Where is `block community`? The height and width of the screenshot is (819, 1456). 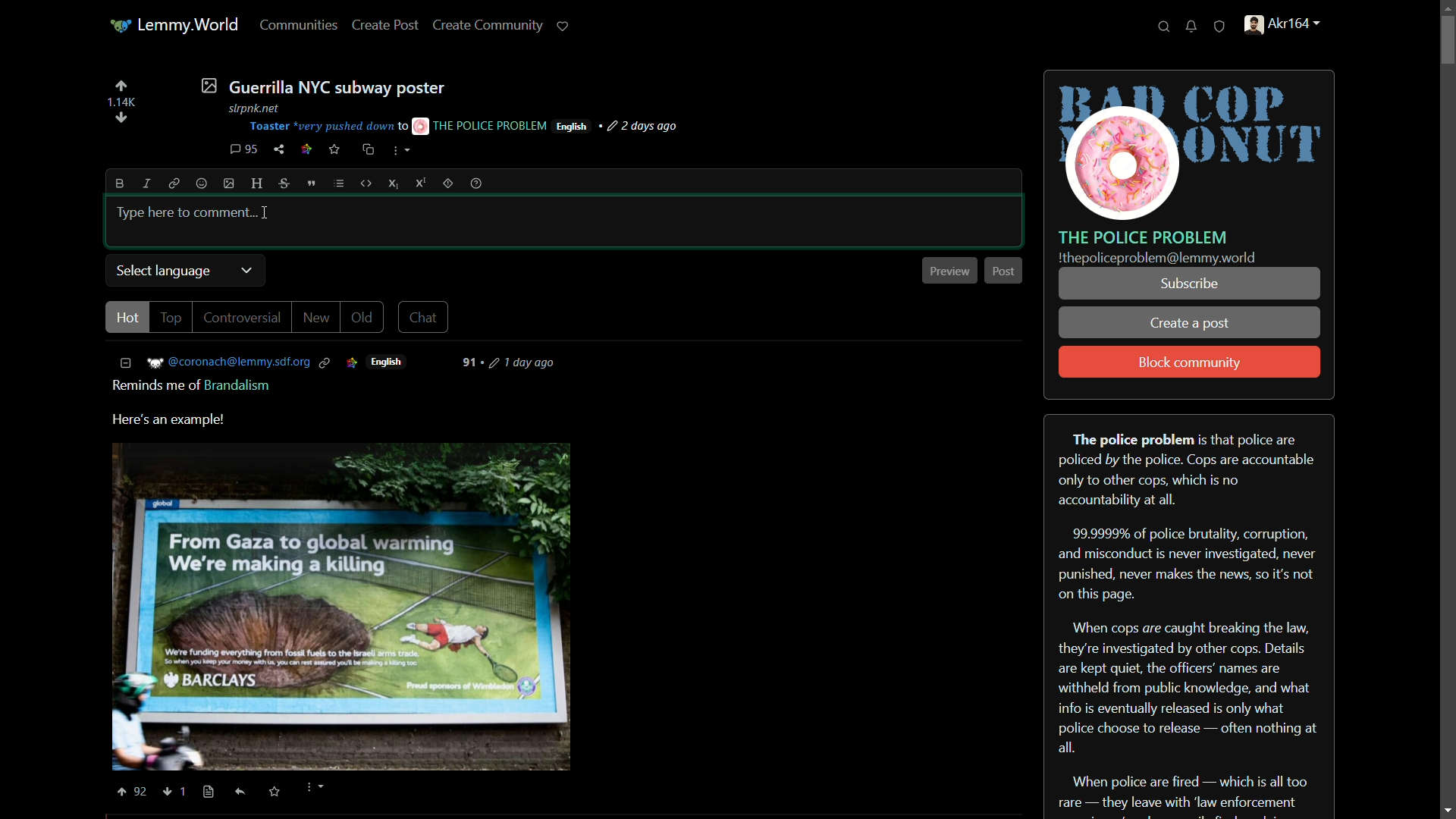 block community is located at coordinates (1190, 363).